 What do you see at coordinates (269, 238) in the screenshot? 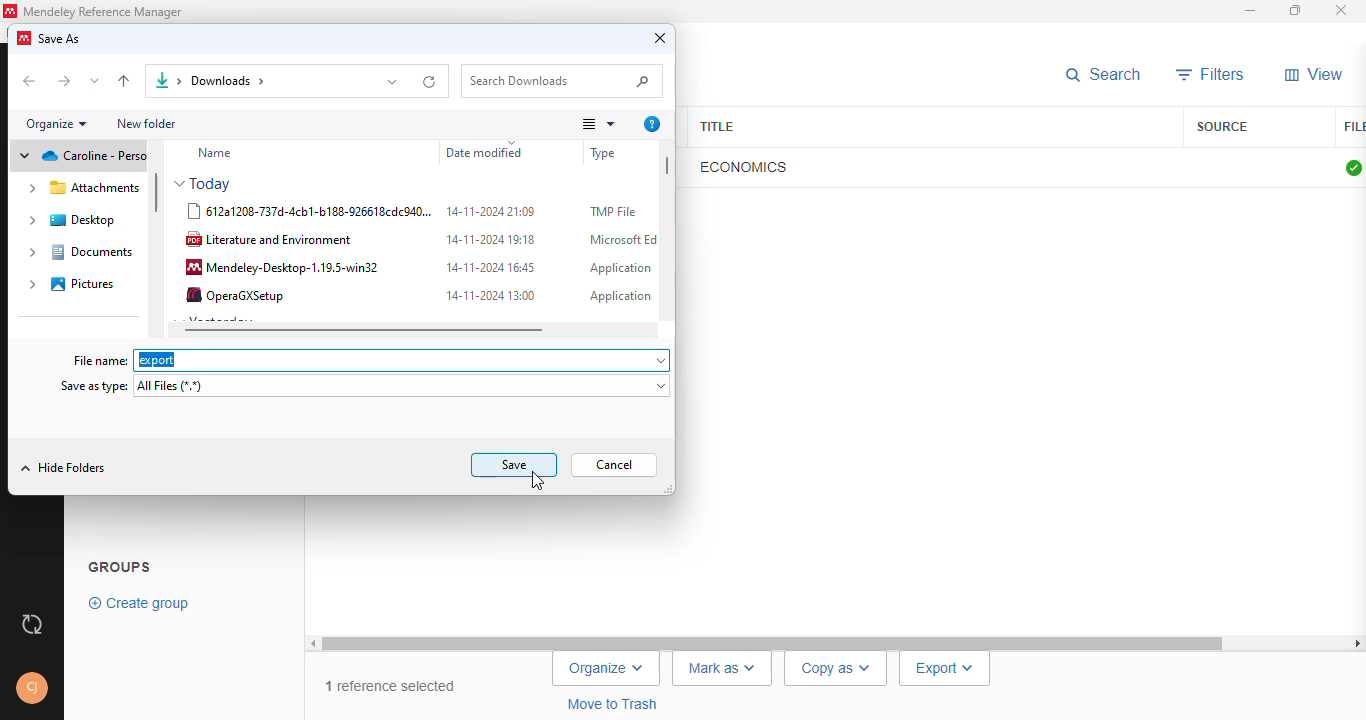
I see `literature and environment` at bounding box center [269, 238].